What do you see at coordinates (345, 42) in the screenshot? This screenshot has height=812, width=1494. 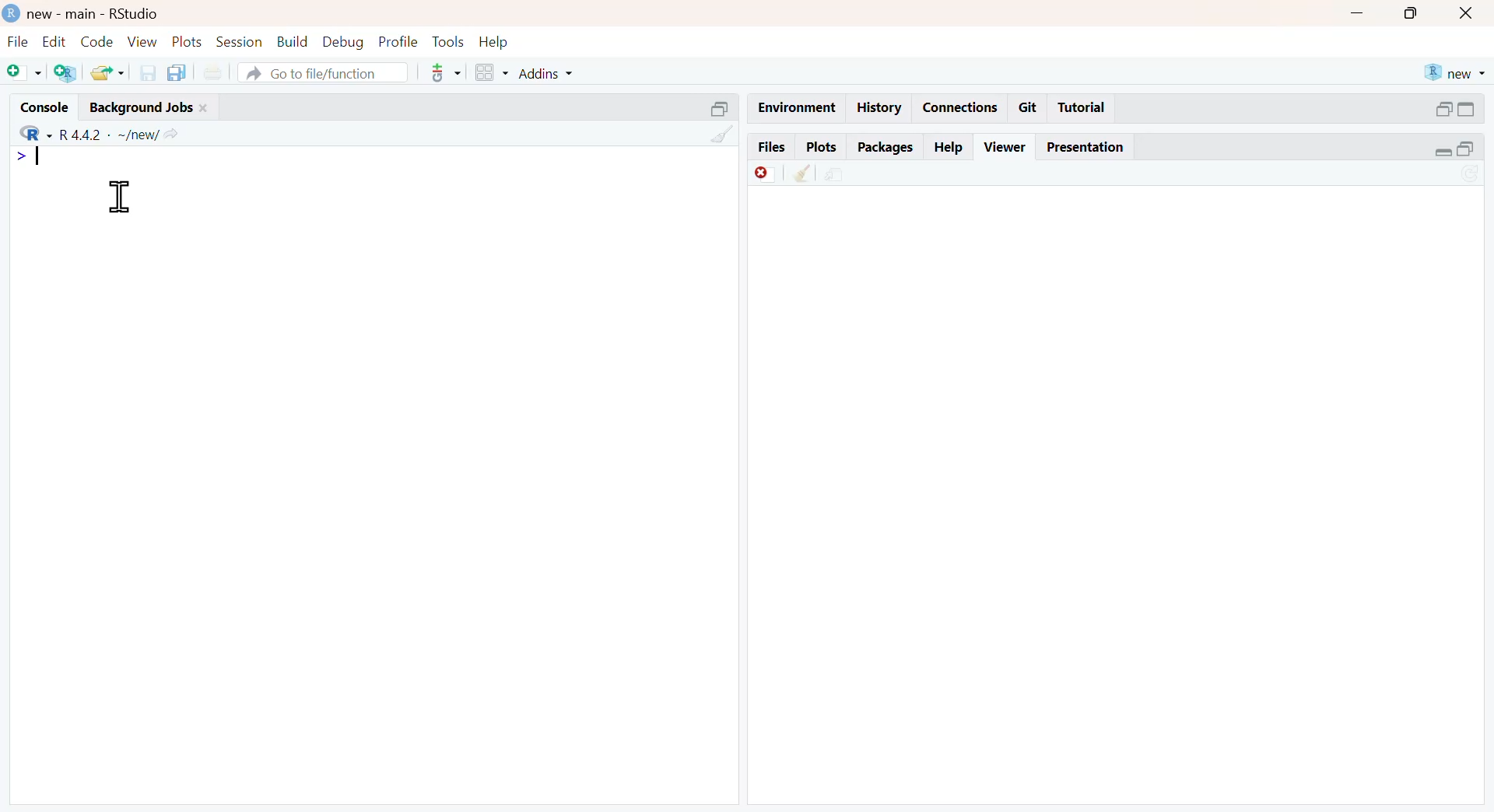 I see `debug` at bounding box center [345, 42].